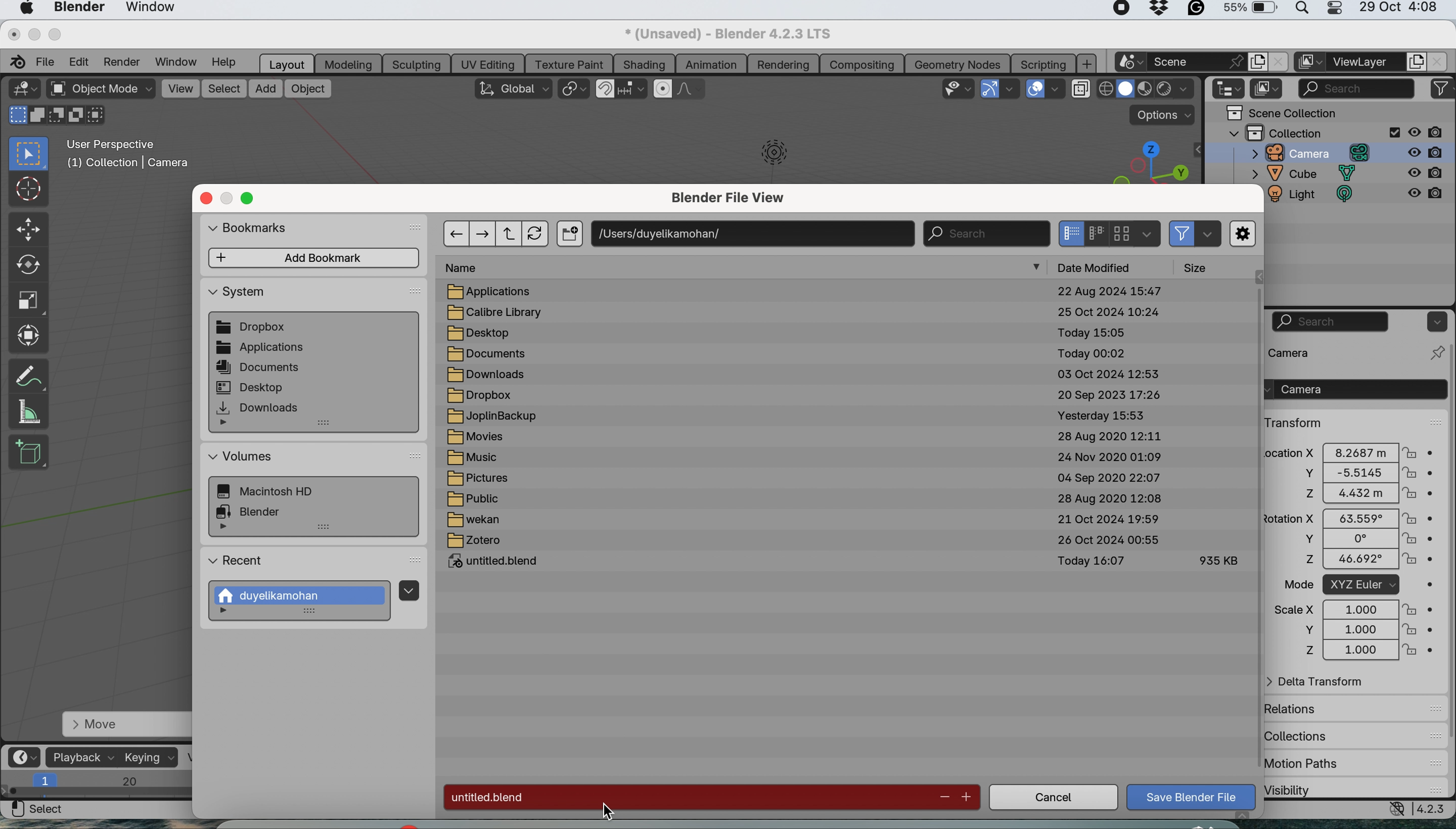 The image size is (1456, 829). Describe the element at coordinates (1057, 91) in the screenshot. I see `overlays` at that location.